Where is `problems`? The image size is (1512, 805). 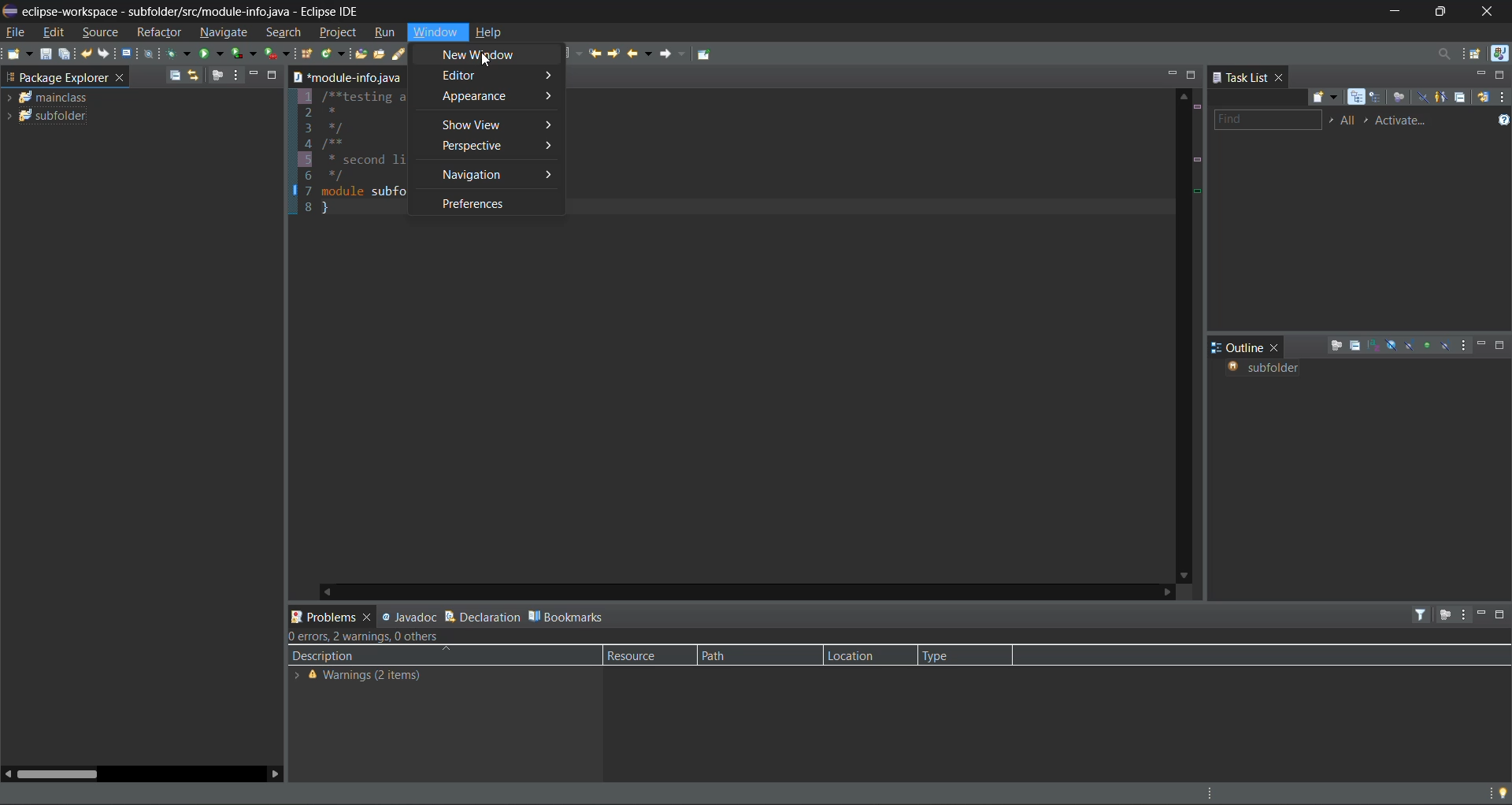
problems is located at coordinates (323, 615).